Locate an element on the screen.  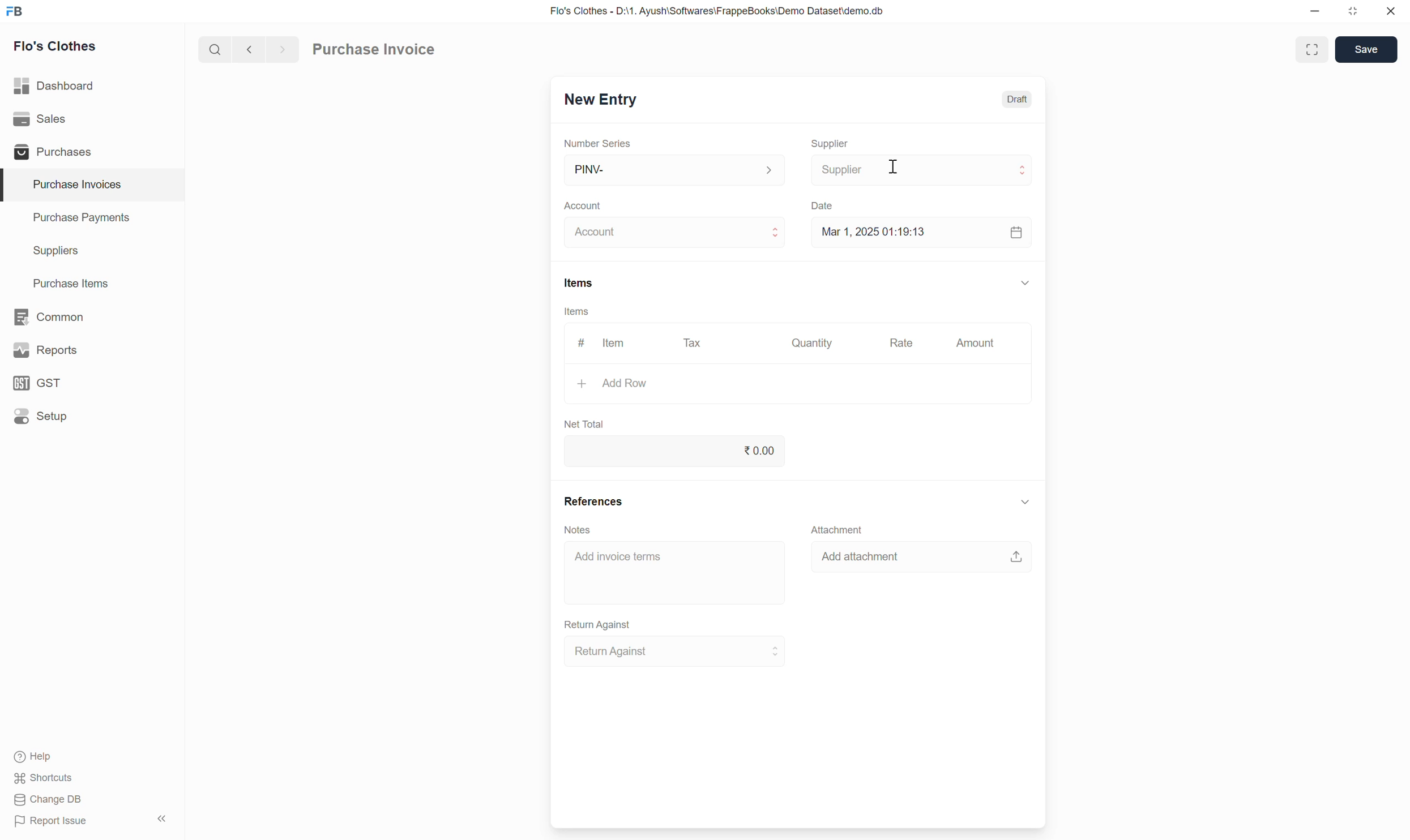
Quantity is located at coordinates (815, 343).